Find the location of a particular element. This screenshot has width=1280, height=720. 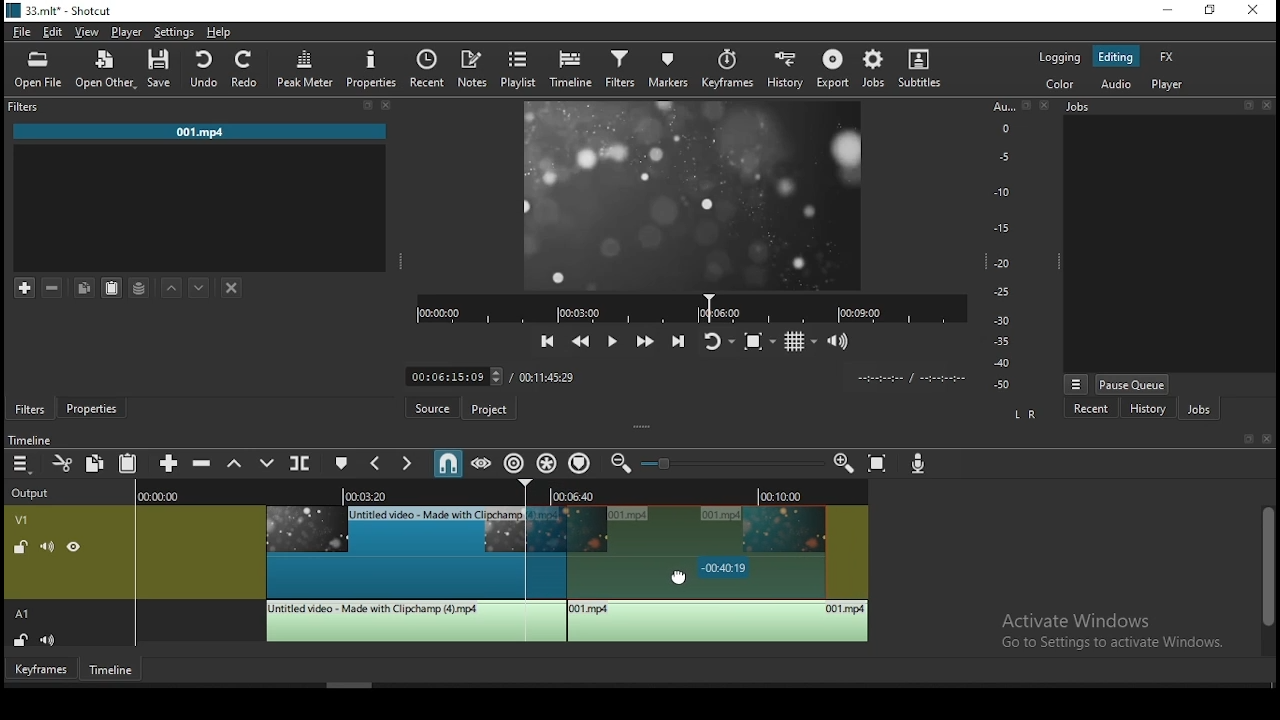

ripple is located at coordinates (514, 463).